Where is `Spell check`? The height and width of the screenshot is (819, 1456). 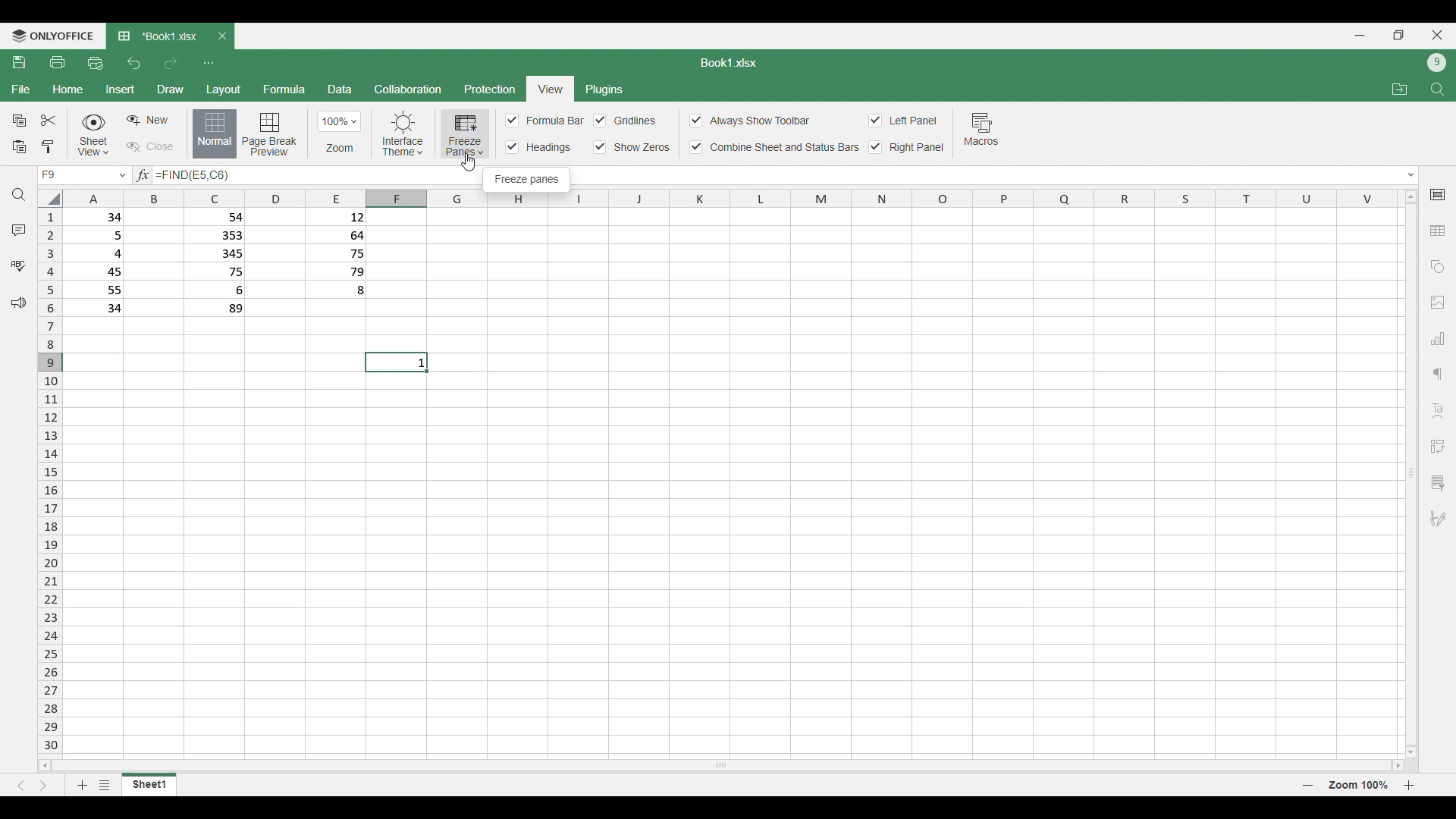 Spell check is located at coordinates (18, 266).